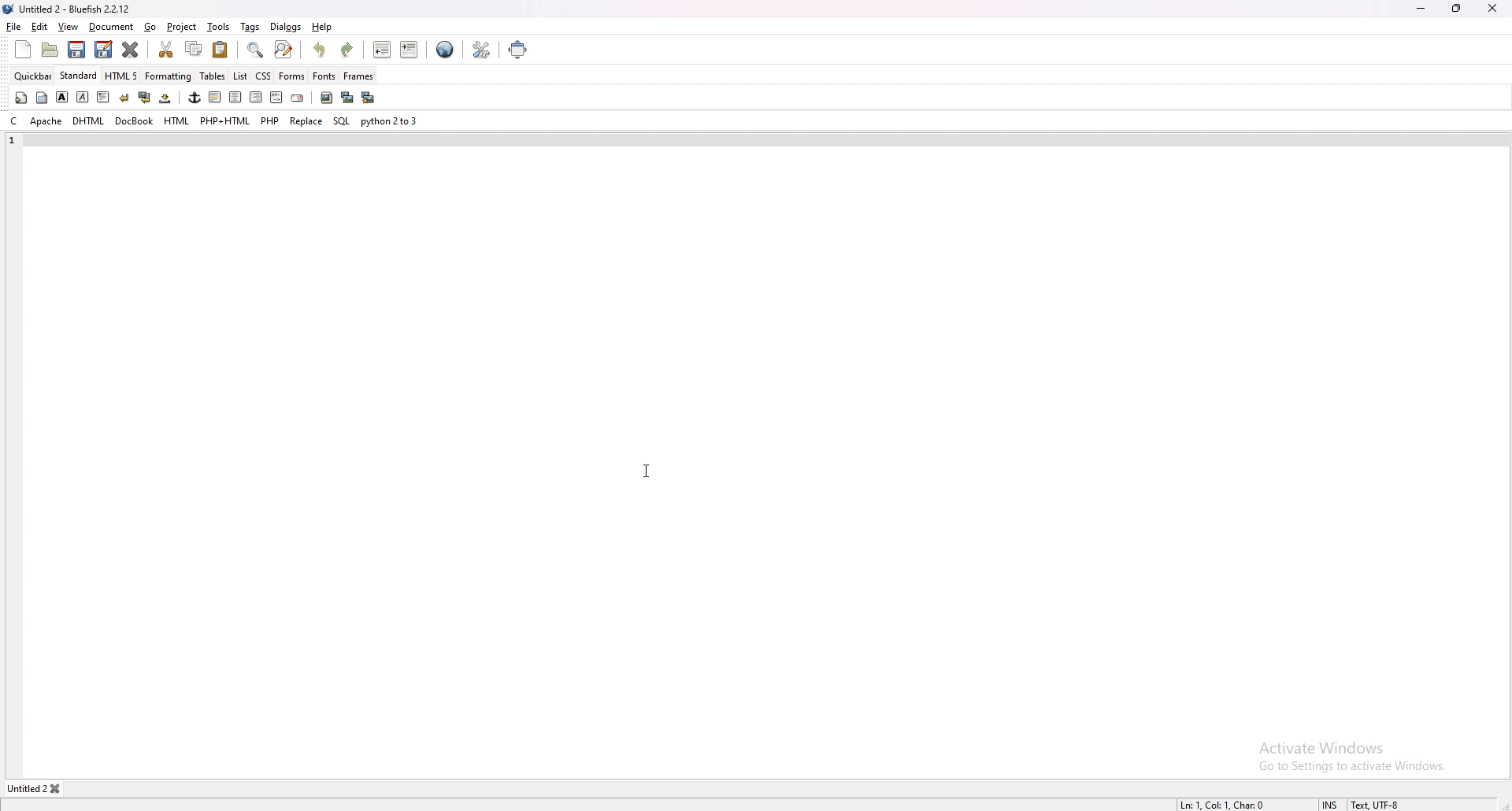 This screenshot has width=1512, height=811. I want to click on help, so click(321, 27).